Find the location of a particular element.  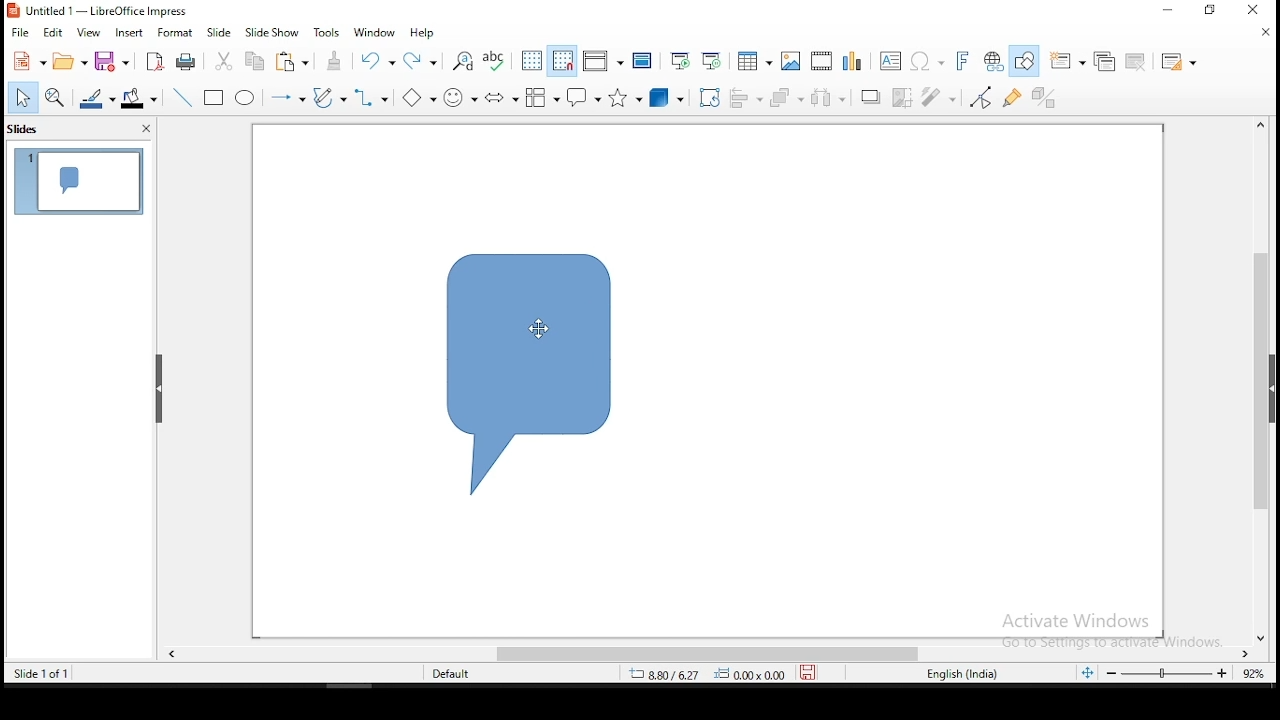

cut is located at coordinates (223, 61).